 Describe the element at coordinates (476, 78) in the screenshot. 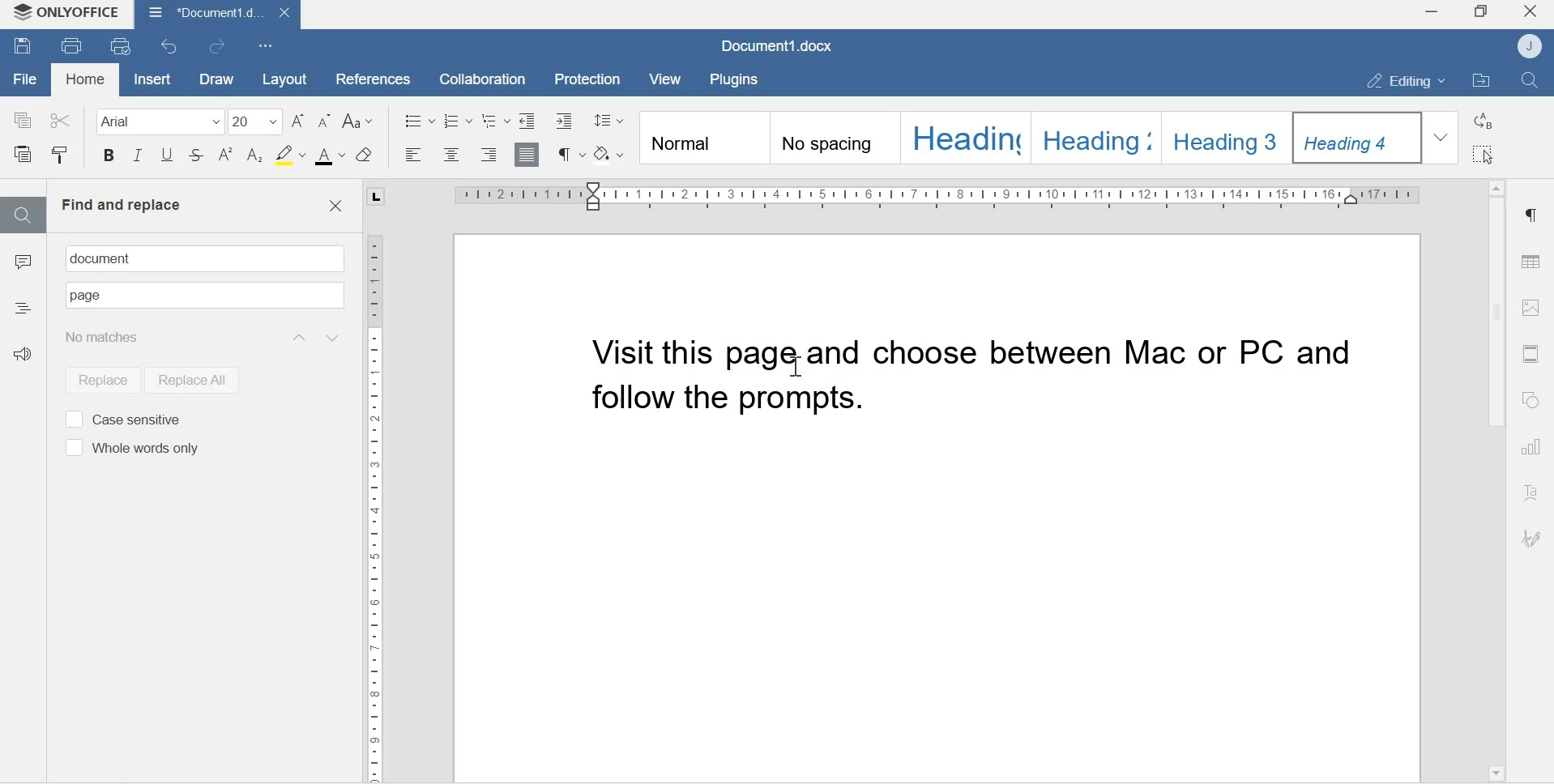

I see `Collaboration` at that location.